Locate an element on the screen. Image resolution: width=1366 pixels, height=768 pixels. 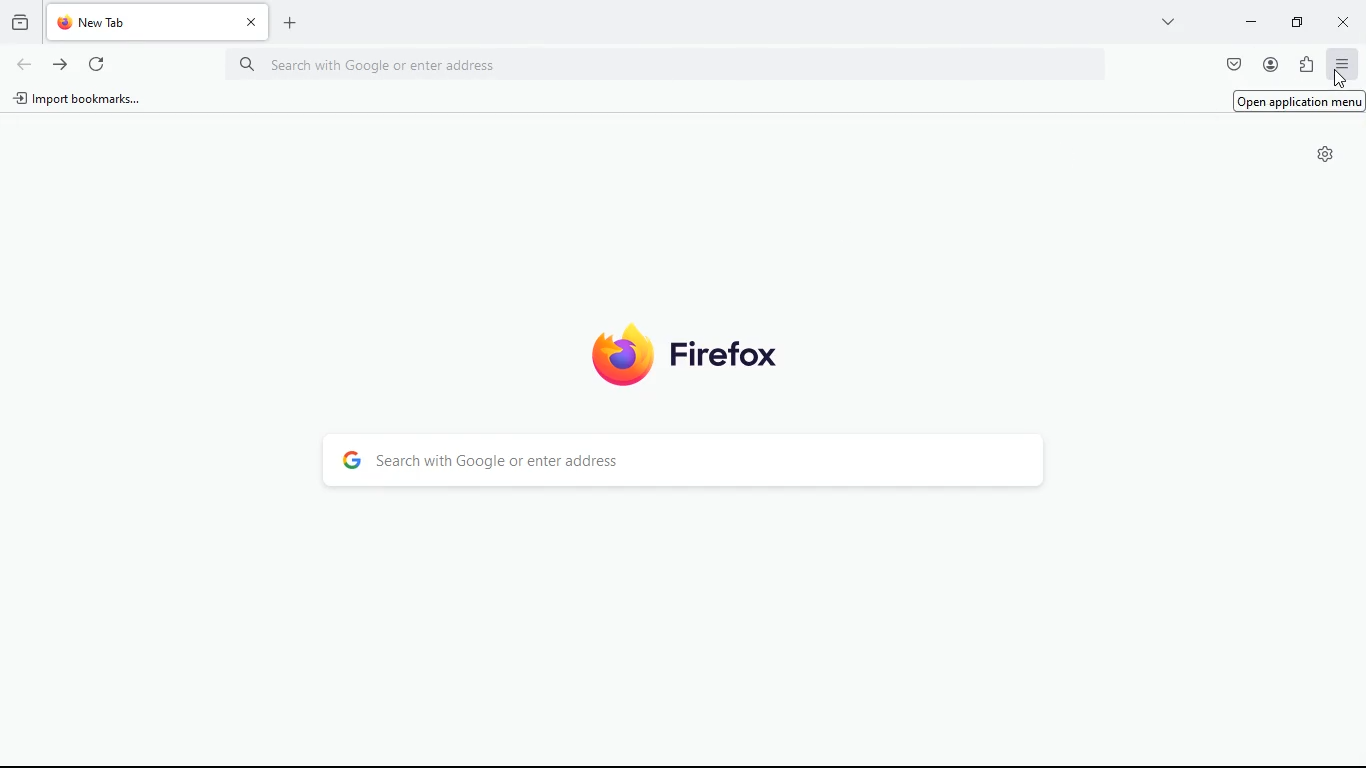
close is located at coordinates (1344, 22).